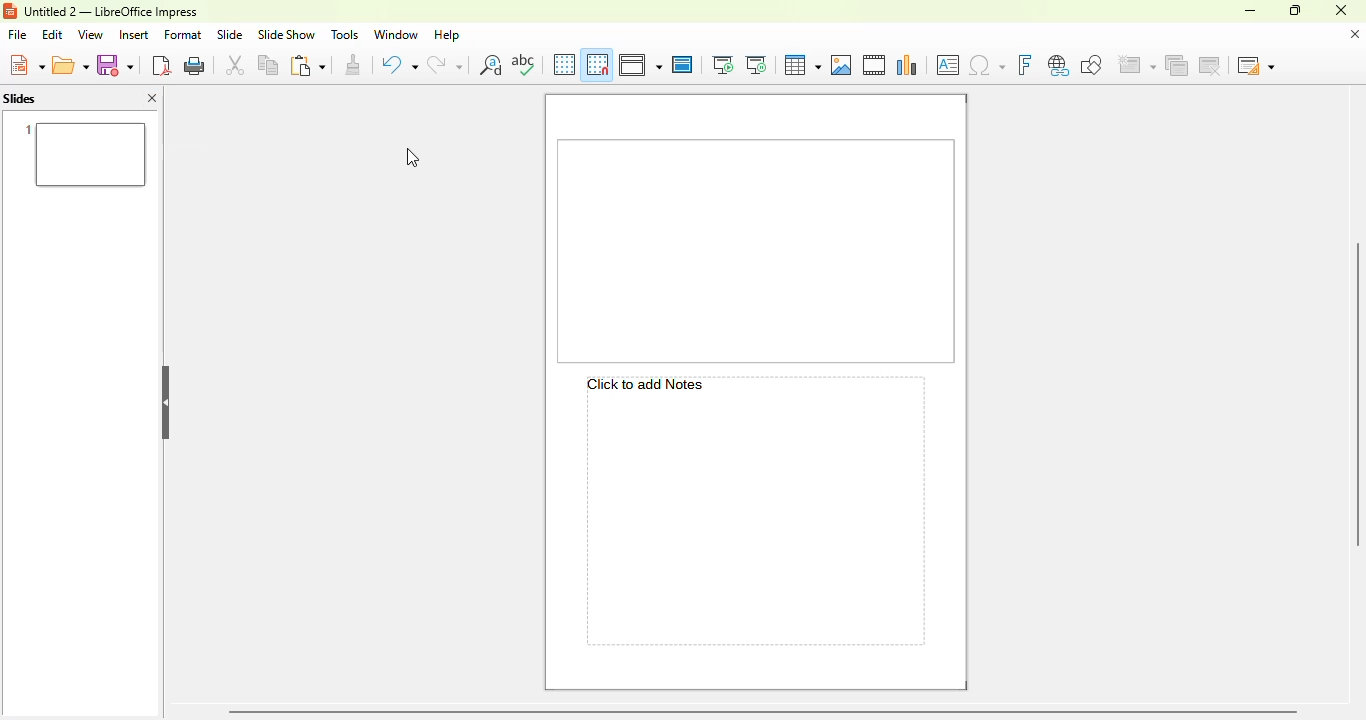 The width and height of the screenshot is (1366, 720). Describe the element at coordinates (683, 64) in the screenshot. I see `master slide` at that location.